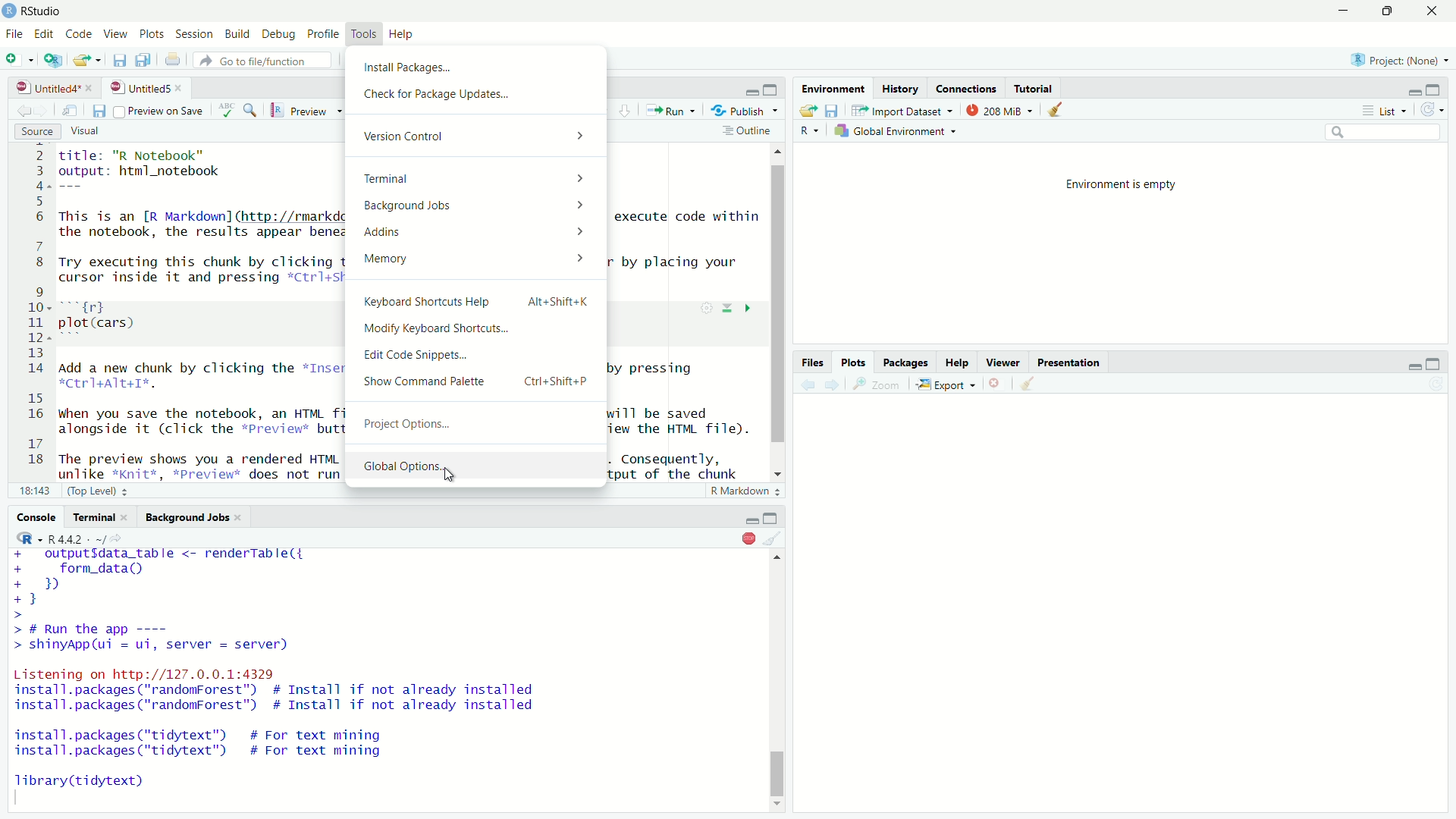 Image resolution: width=1456 pixels, height=819 pixels. What do you see at coordinates (746, 491) in the screenshot?
I see `R Markdown` at bounding box center [746, 491].